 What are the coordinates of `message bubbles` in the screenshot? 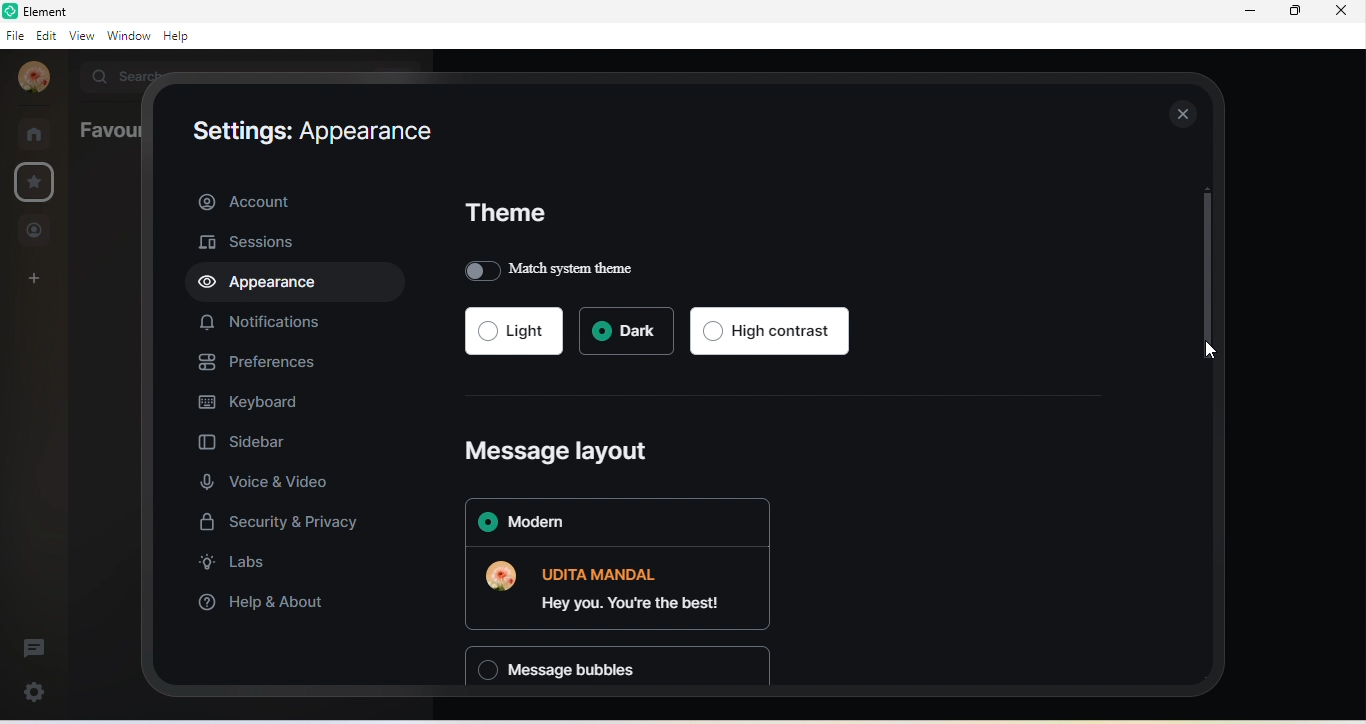 It's located at (619, 668).